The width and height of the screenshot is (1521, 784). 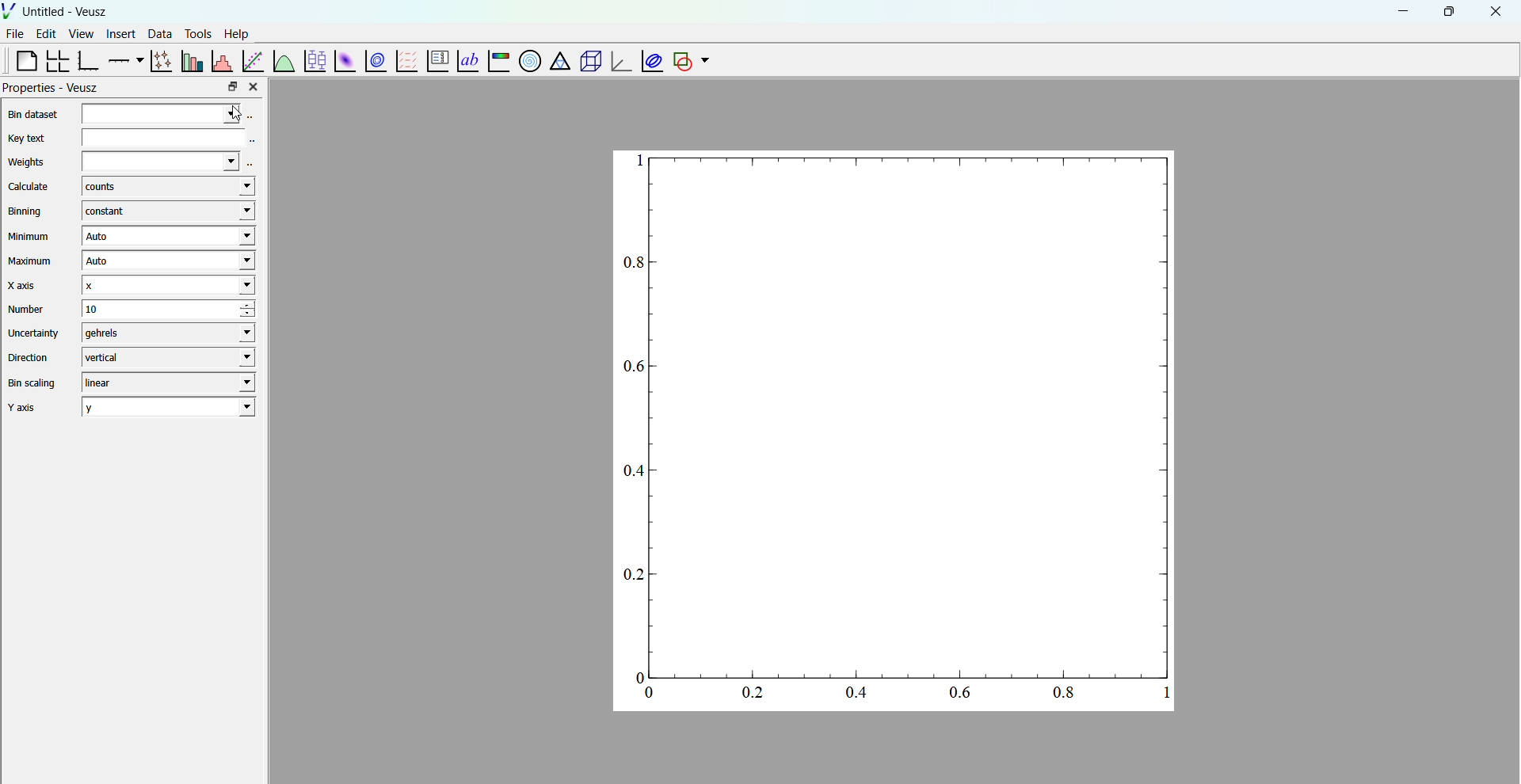 I want to click on text label, so click(x=466, y=59).